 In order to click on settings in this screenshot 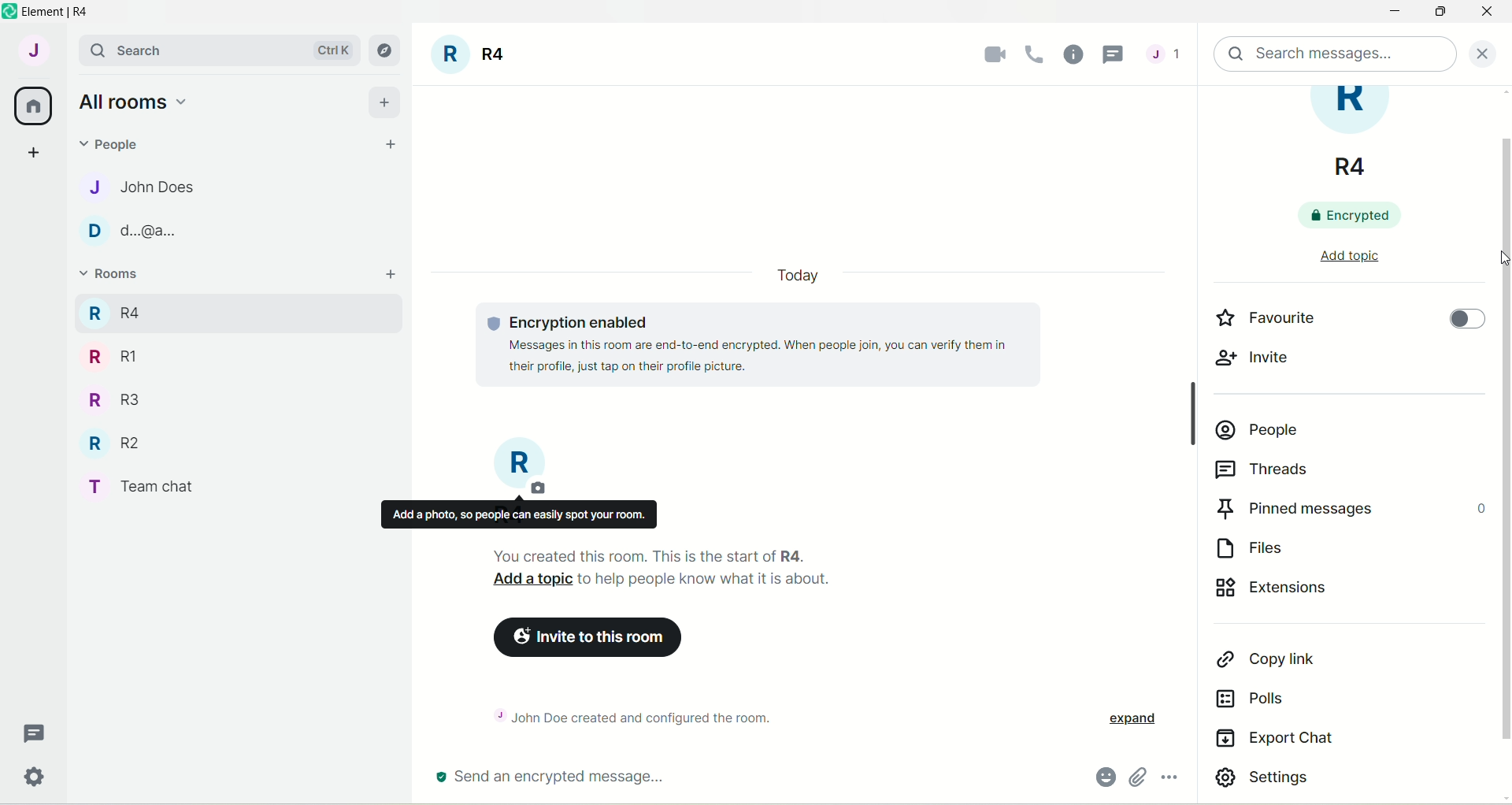, I will do `click(1273, 779)`.